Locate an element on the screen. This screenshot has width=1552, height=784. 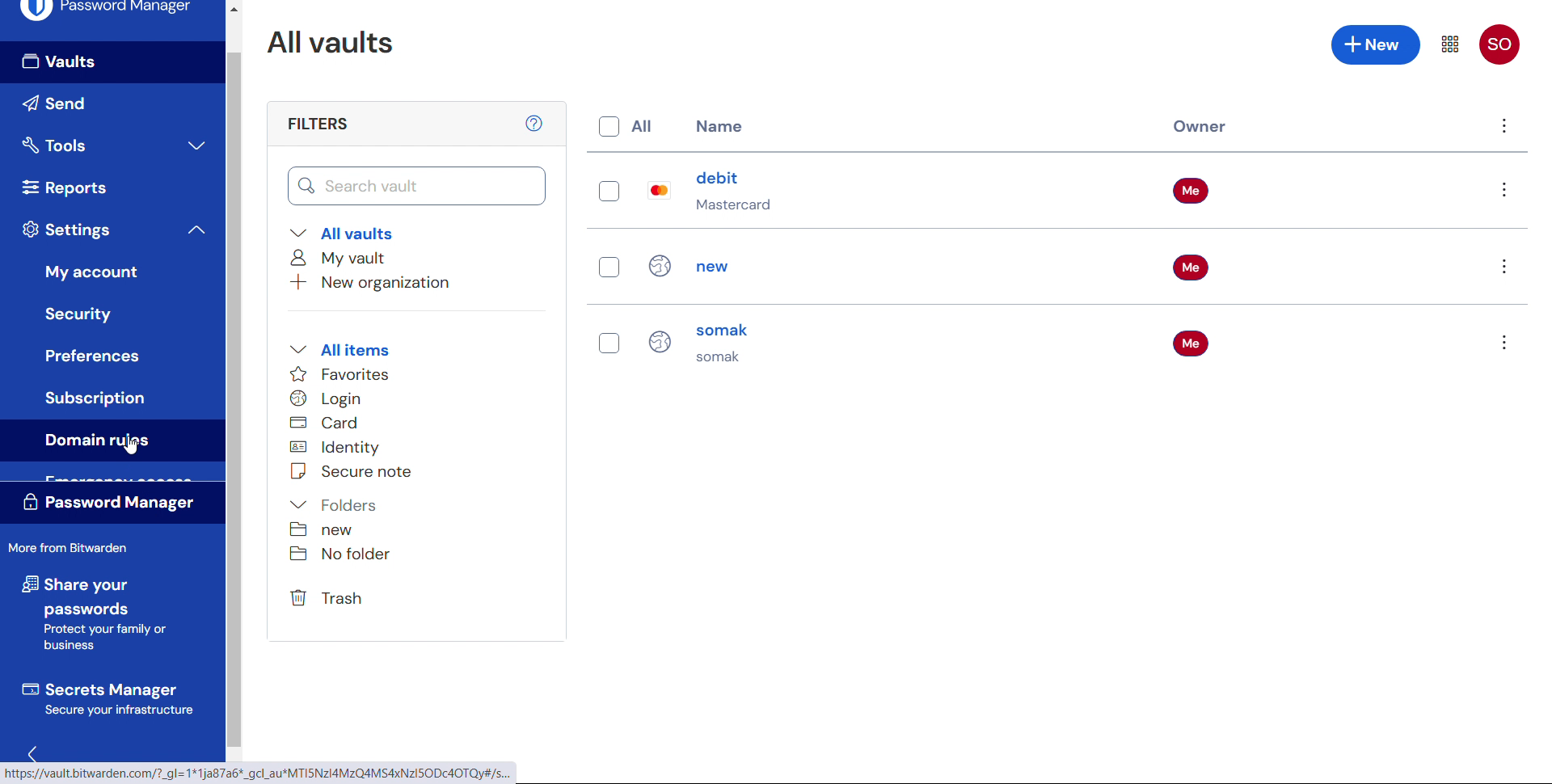
My account  is located at coordinates (95, 269).